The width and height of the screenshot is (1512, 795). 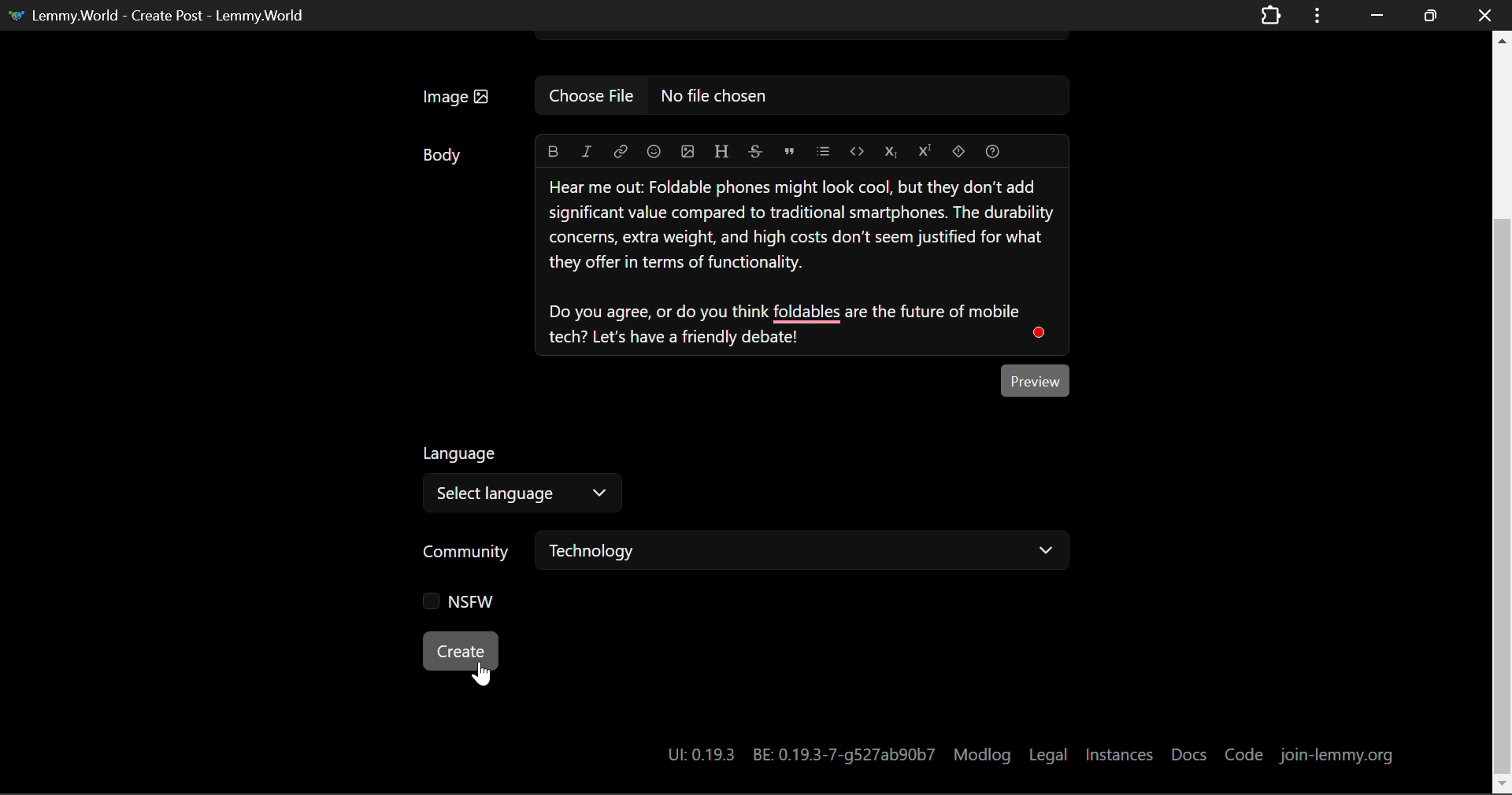 What do you see at coordinates (1243, 750) in the screenshot?
I see `Code` at bounding box center [1243, 750].